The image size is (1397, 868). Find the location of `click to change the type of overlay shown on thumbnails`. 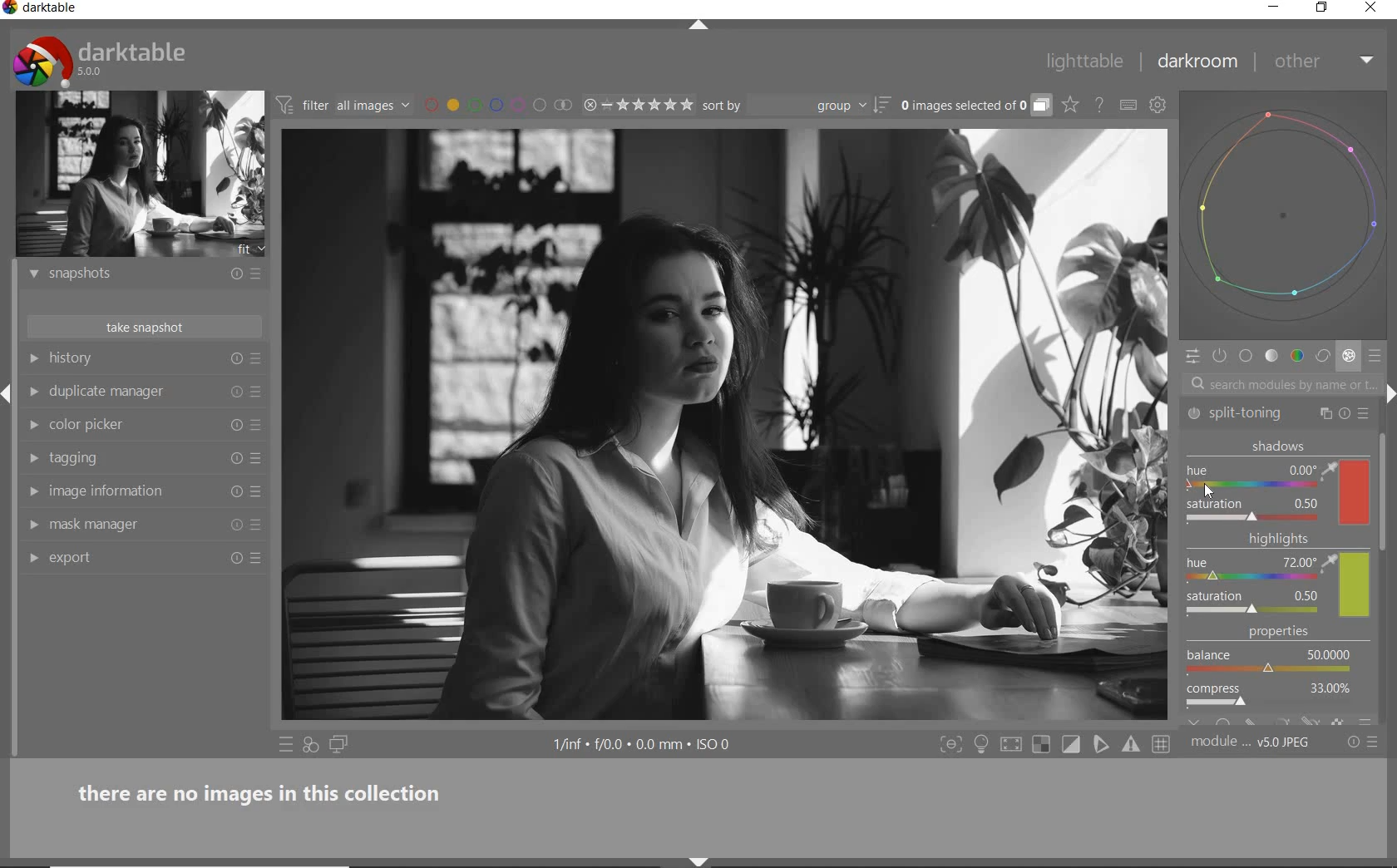

click to change the type of overlay shown on thumbnails is located at coordinates (1071, 106).